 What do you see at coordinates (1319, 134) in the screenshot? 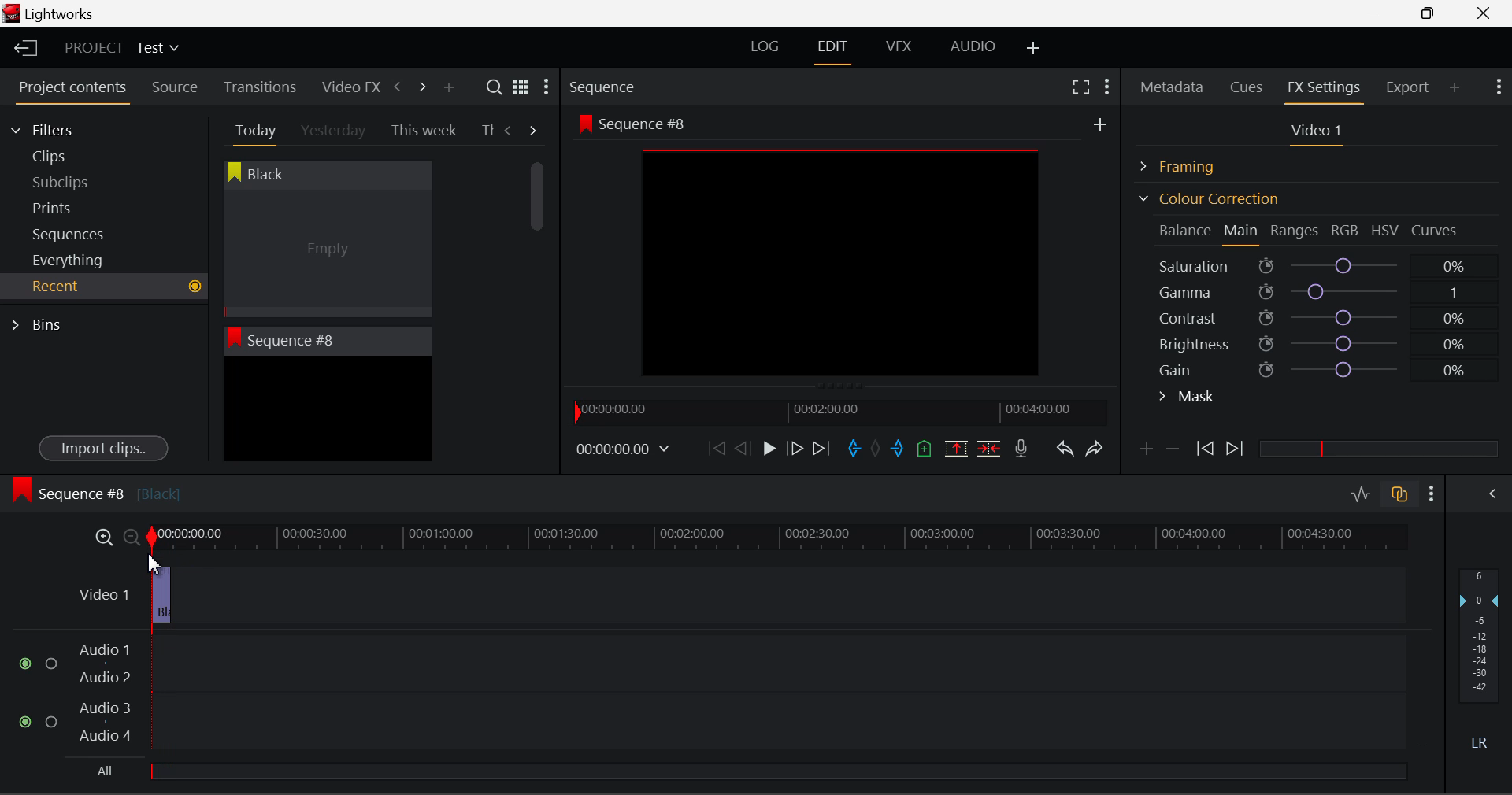
I see `Video 1 Settings` at bounding box center [1319, 134].